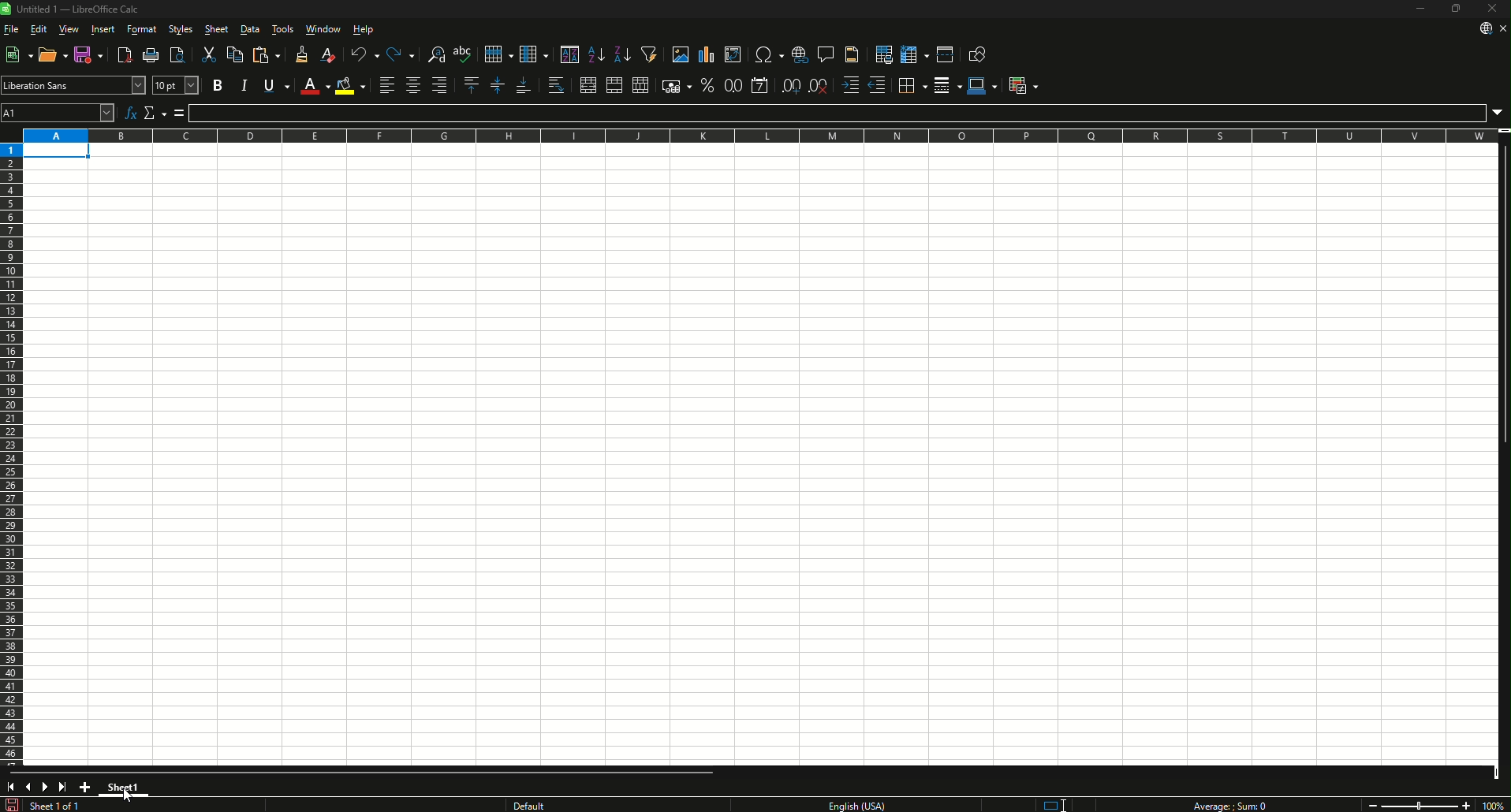 This screenshot has height=812, width=1511. Describe the element at coordinates (914, 54) in the screenshot. I see `Freeze Rows and Columns` at that location.